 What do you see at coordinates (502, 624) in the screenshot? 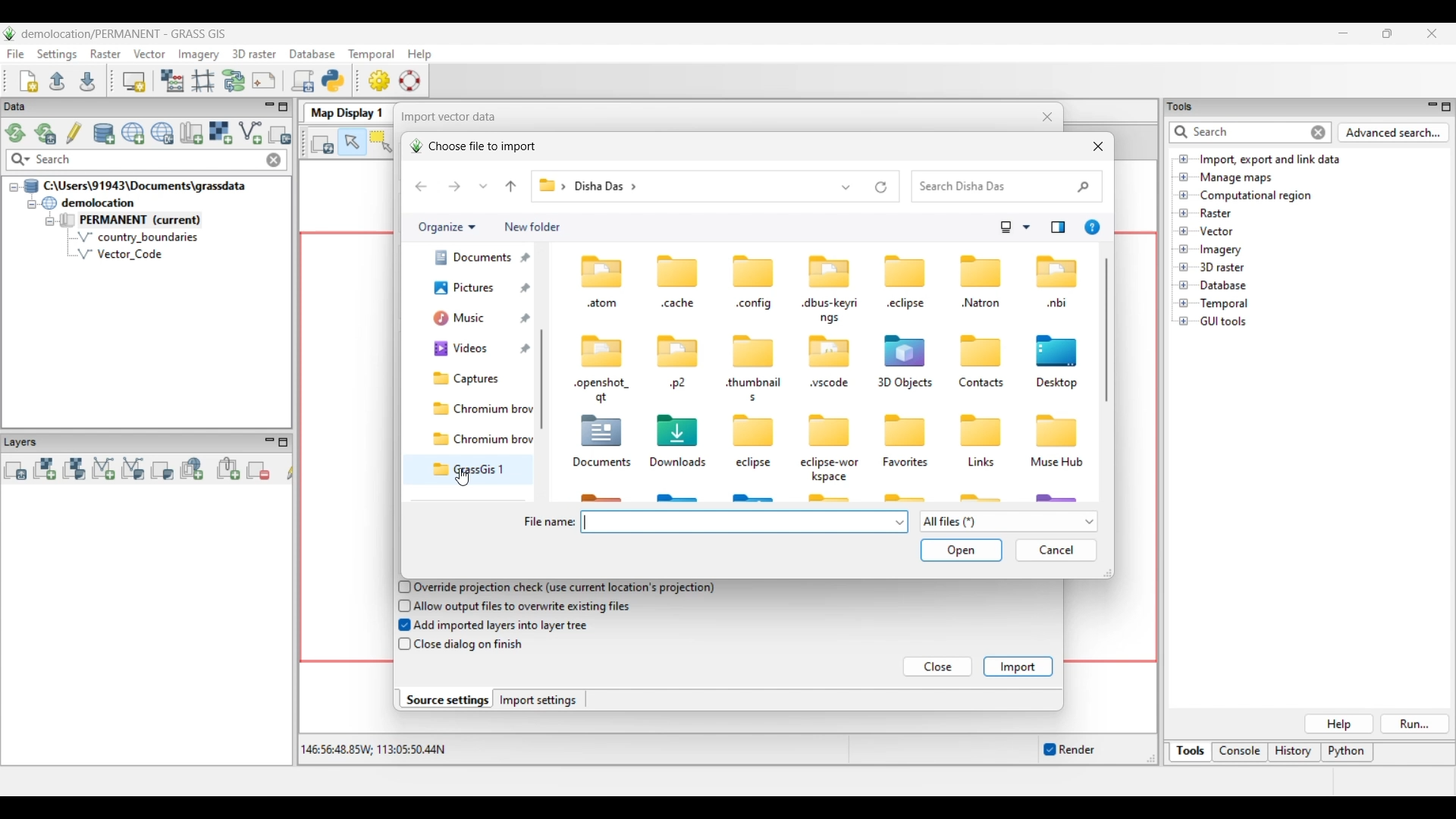
I see `Add imported layers into layer tree` at bounding box center [502, 624].